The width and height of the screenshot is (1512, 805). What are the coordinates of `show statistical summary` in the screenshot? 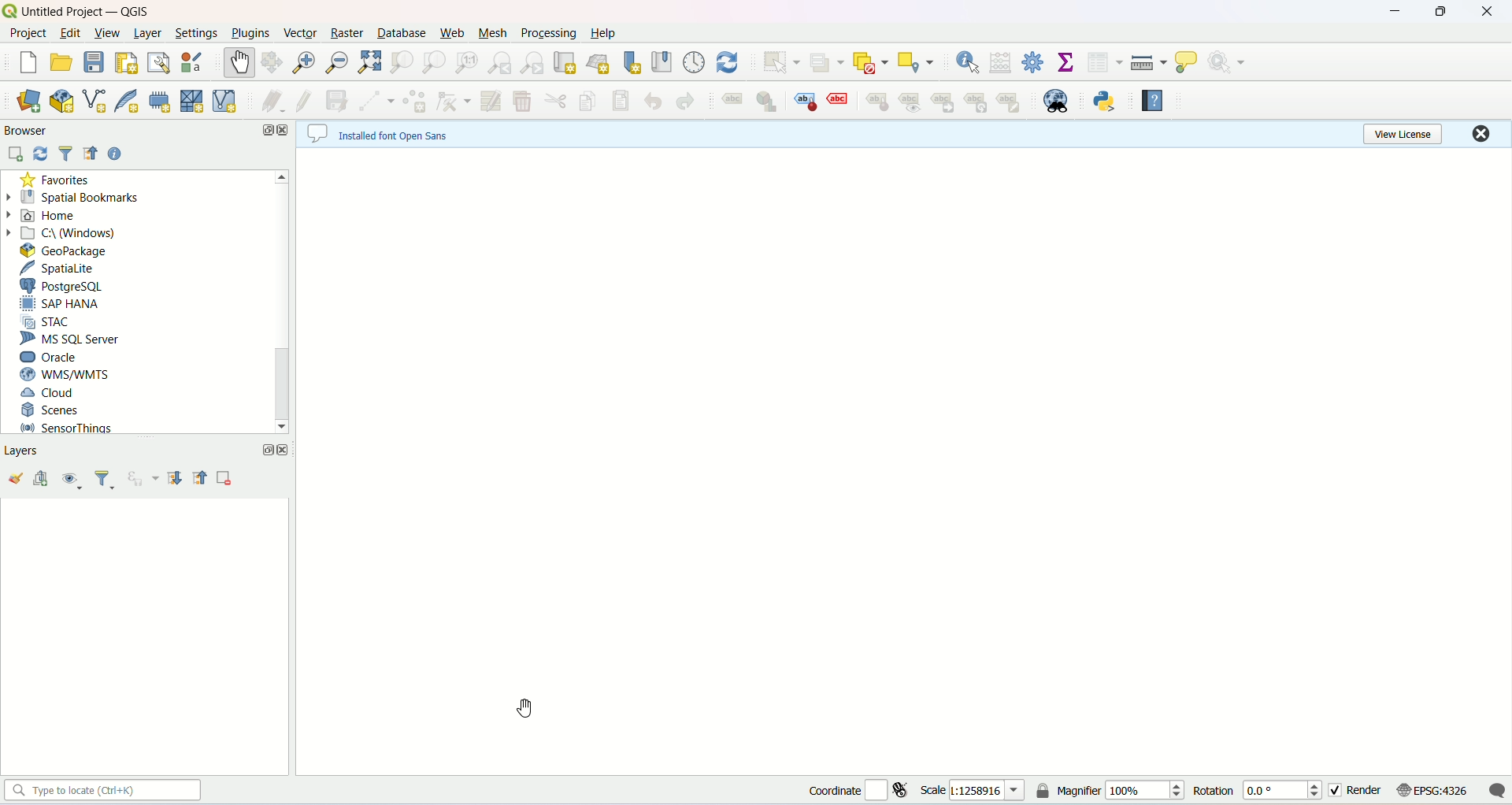 It's located at (1065, 63).